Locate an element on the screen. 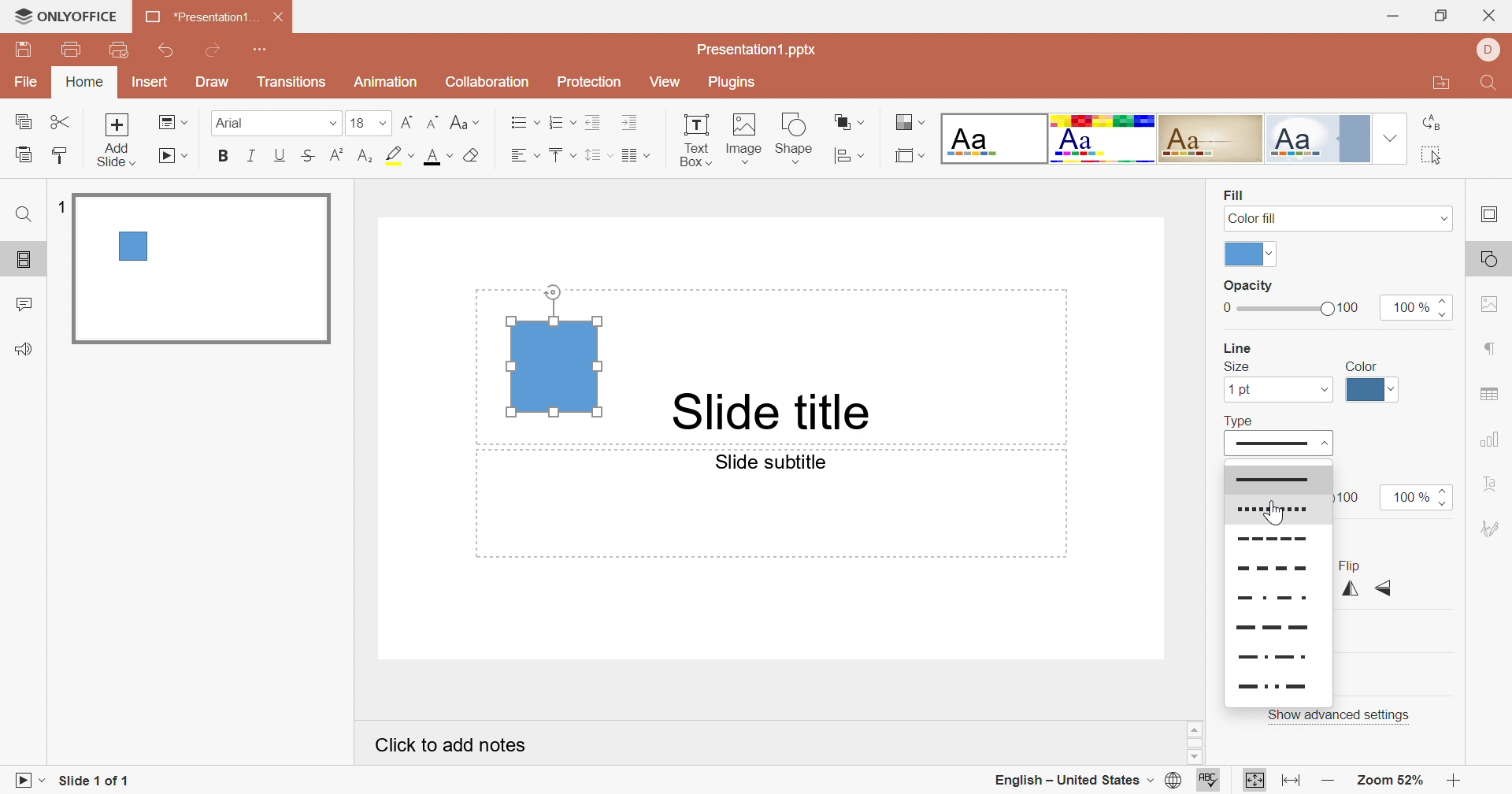  Opacity is located at coordinates (1247, 288).